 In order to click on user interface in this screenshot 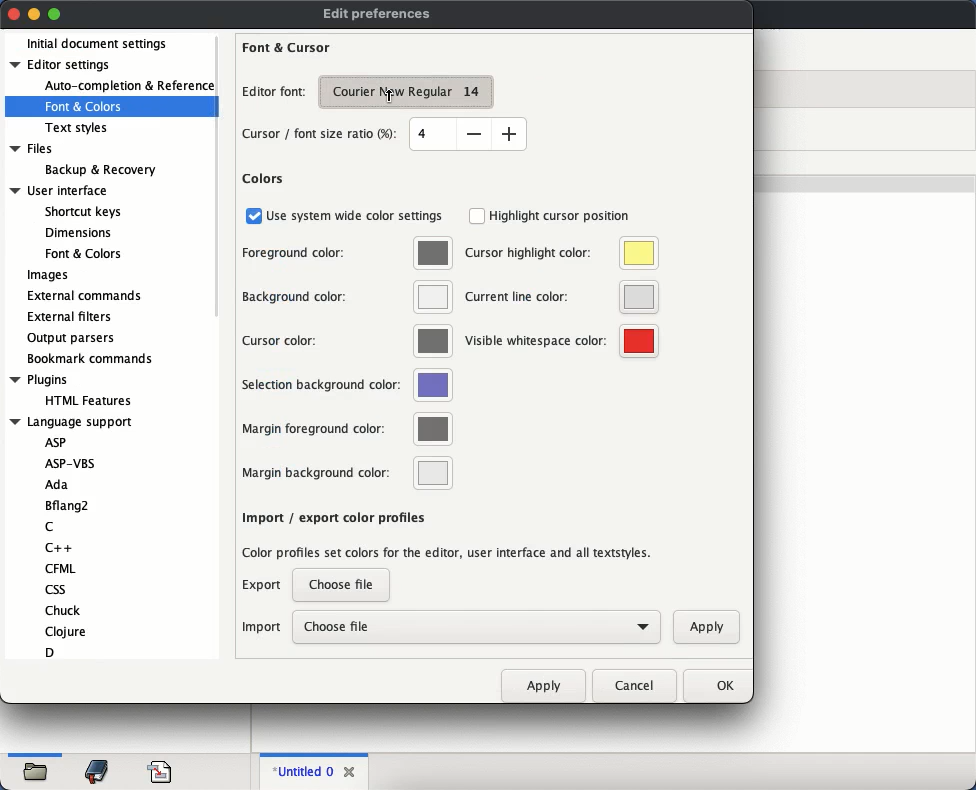, I will do `click(60, 191)`.